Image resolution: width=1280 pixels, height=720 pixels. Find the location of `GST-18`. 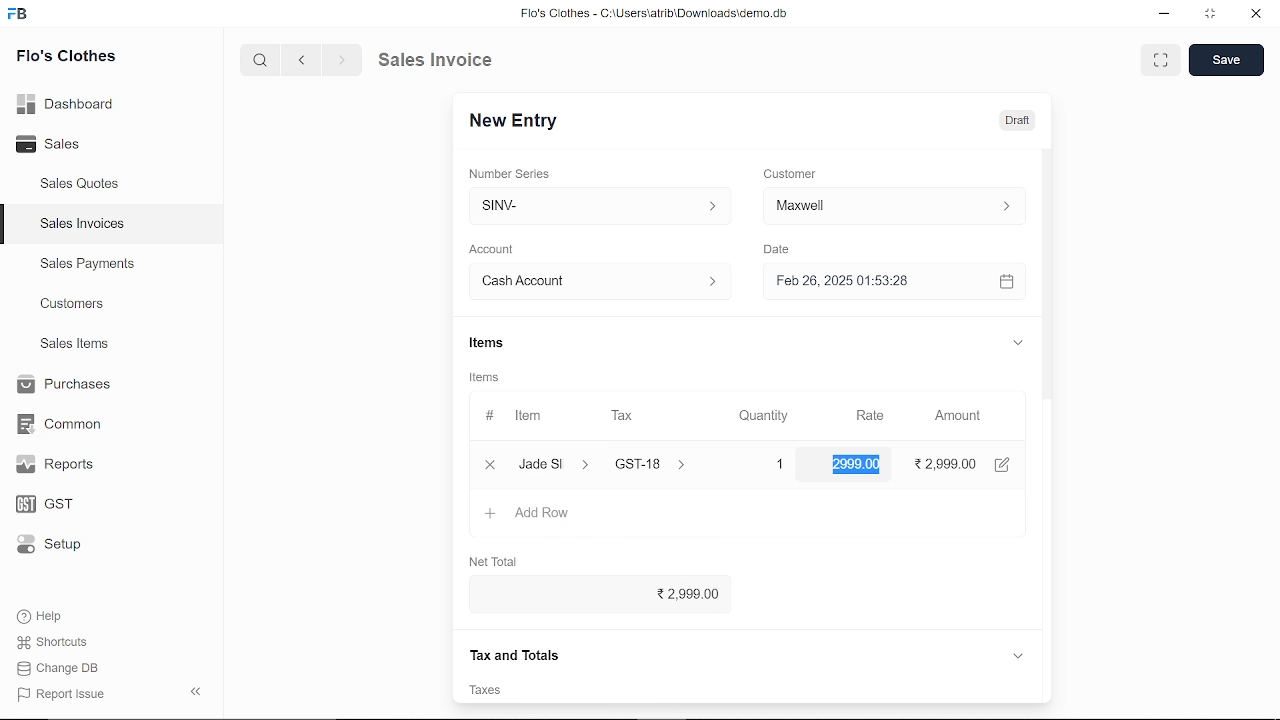

GST-18 is located at coordinates (662, 464).